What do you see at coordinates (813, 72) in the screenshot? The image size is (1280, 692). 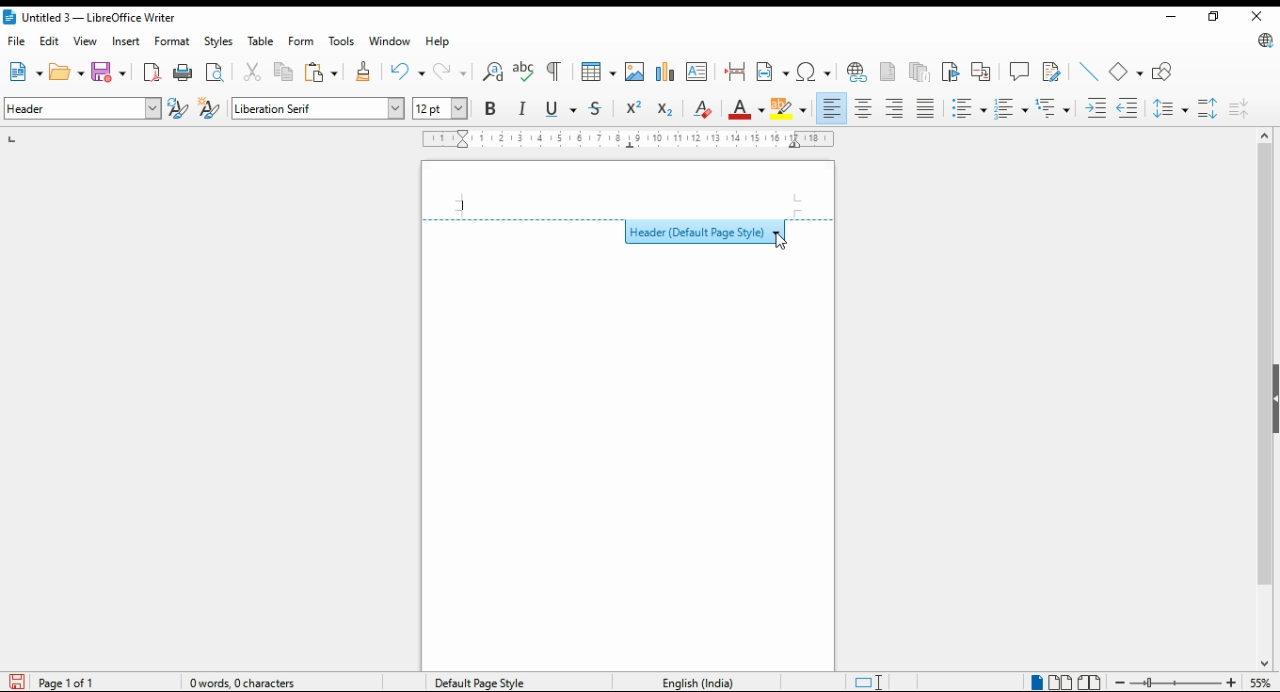 I see `insert special character` at bounding box center [813, 72].